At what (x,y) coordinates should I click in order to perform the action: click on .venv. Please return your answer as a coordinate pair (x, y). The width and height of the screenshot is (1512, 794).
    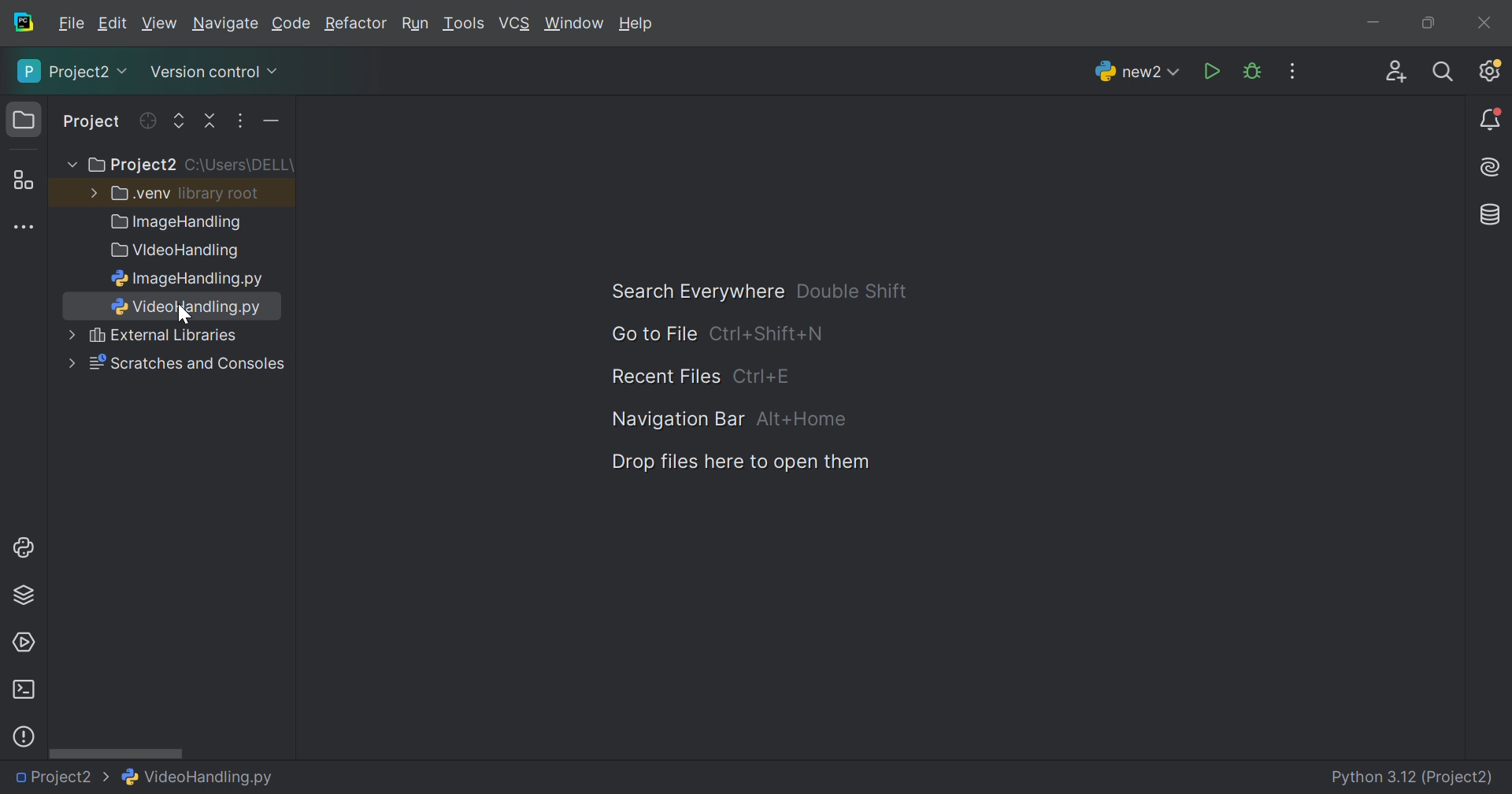
    Looking at the image, I should click on (141, 194).